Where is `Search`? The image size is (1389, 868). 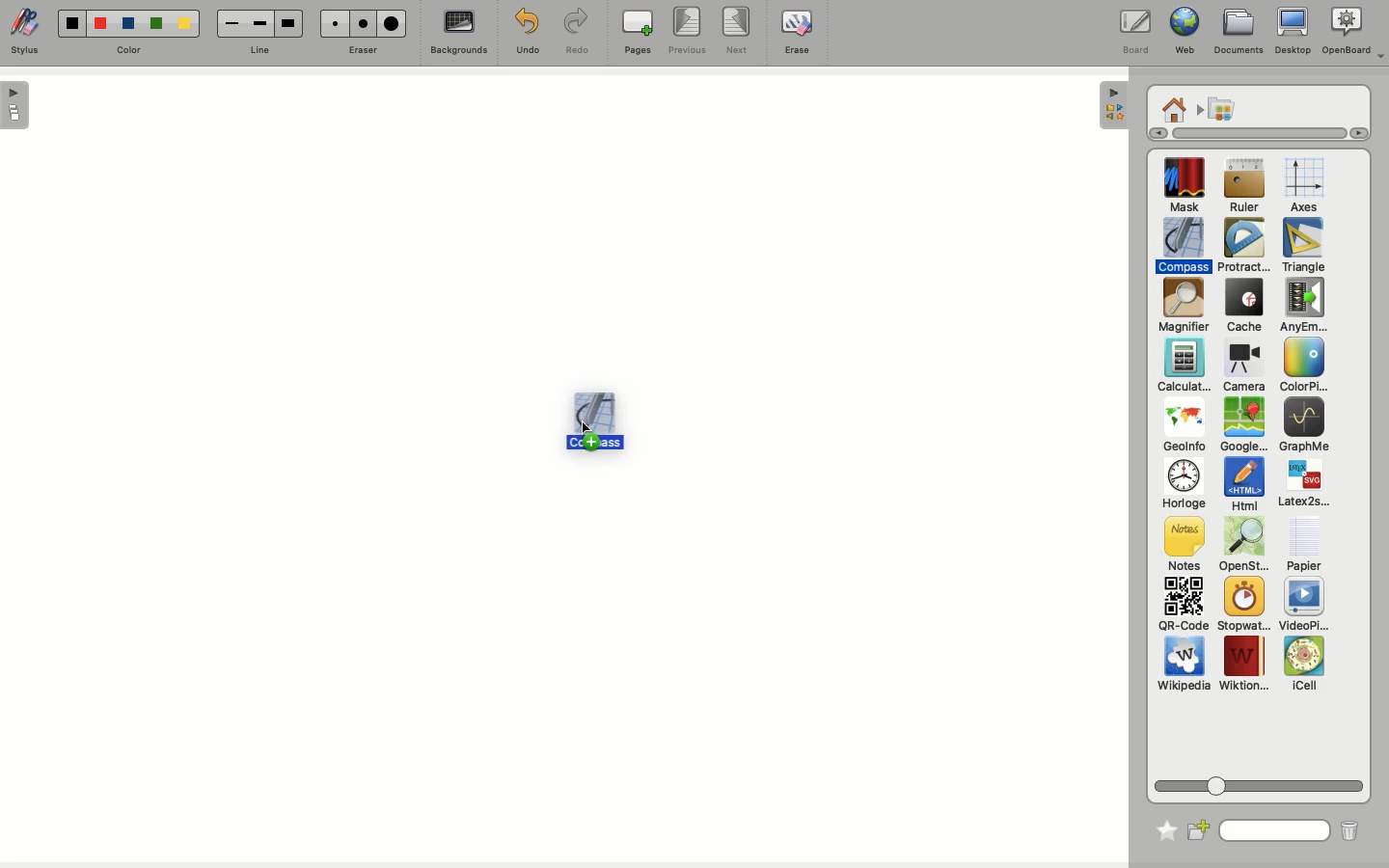 Search is located at coordinates (1275, 828).